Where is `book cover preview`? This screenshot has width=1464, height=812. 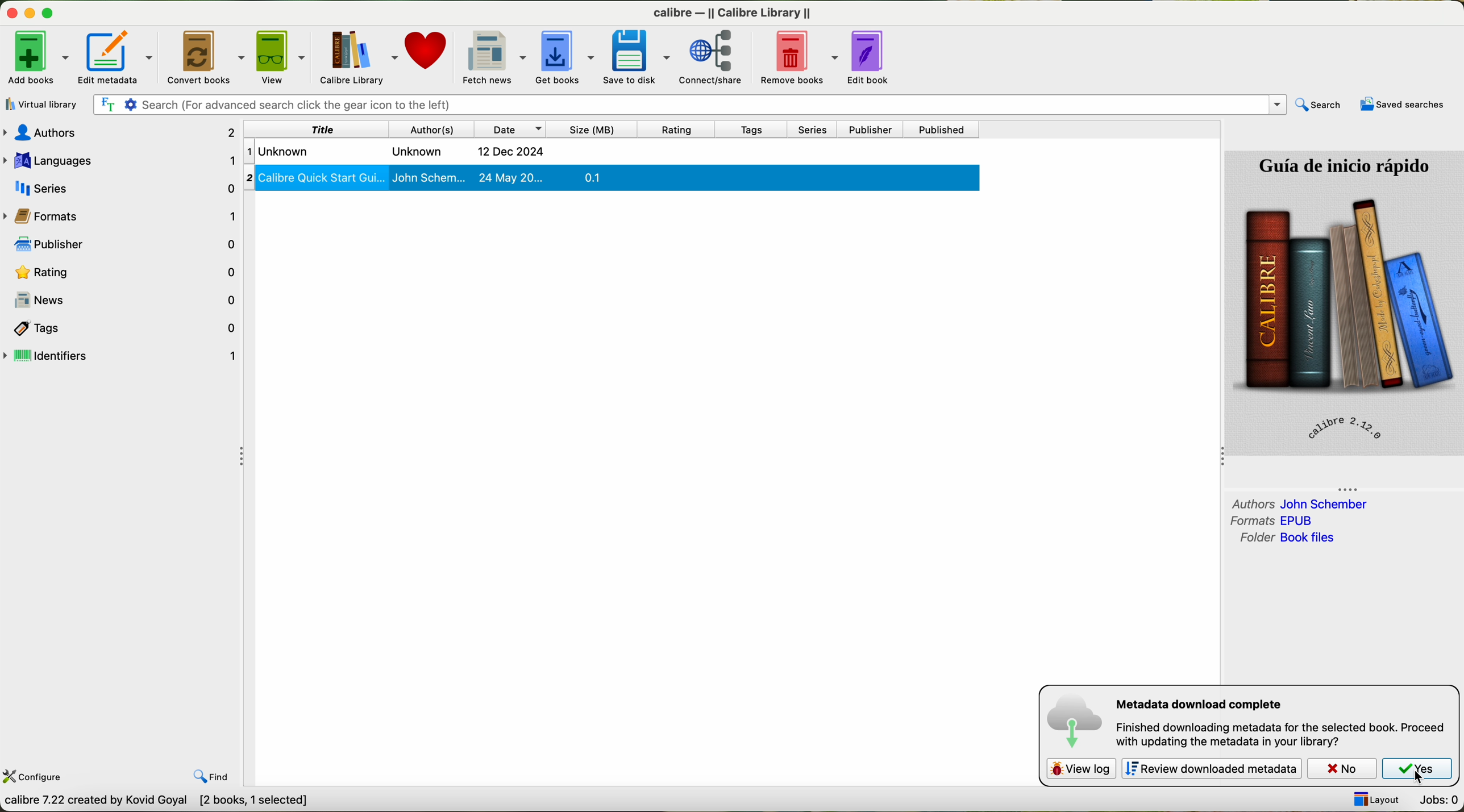 book cover preview is located at coordinates (1344, 302).